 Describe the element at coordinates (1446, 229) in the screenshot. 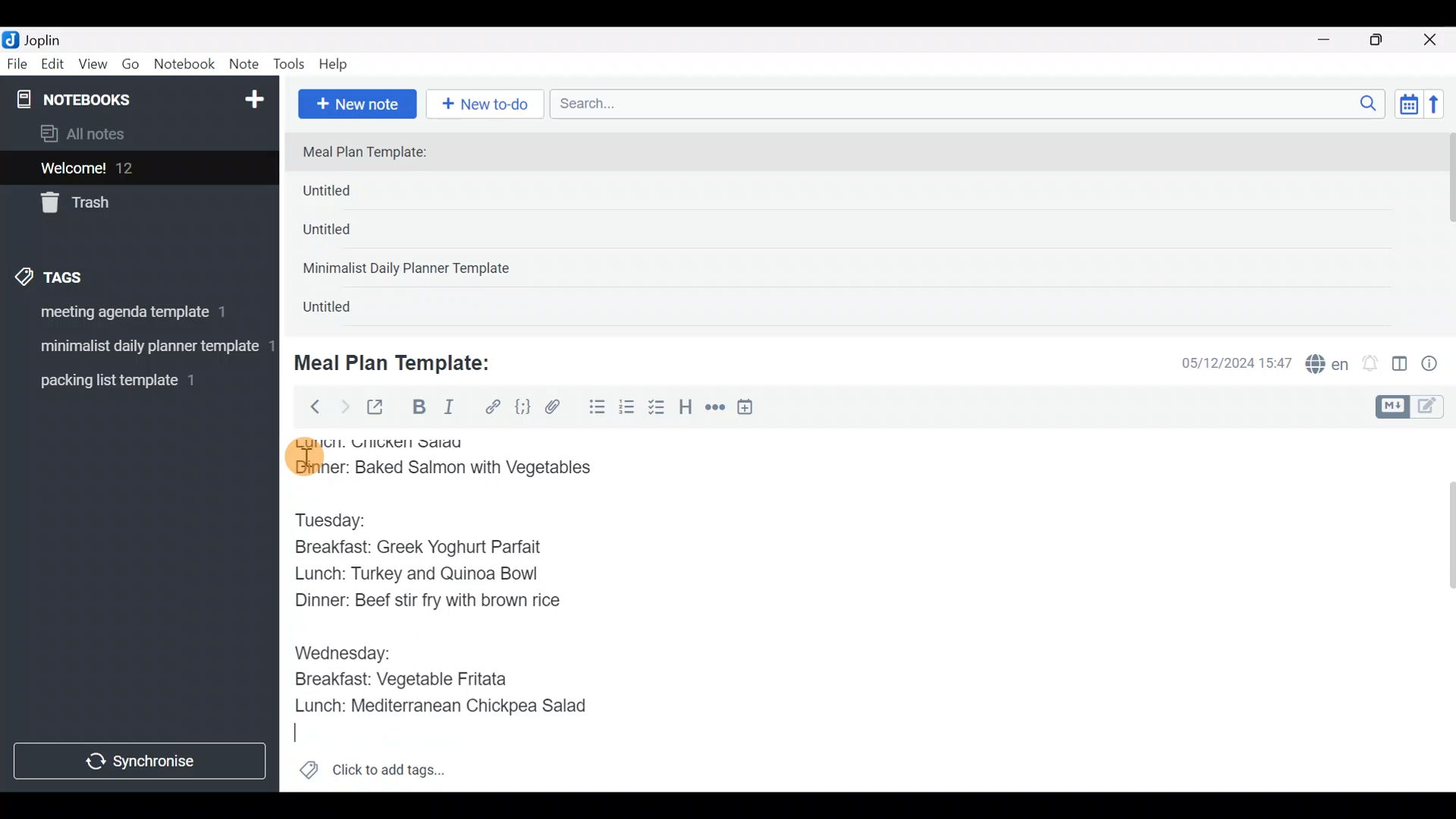

I see `scroll bar` at that location.